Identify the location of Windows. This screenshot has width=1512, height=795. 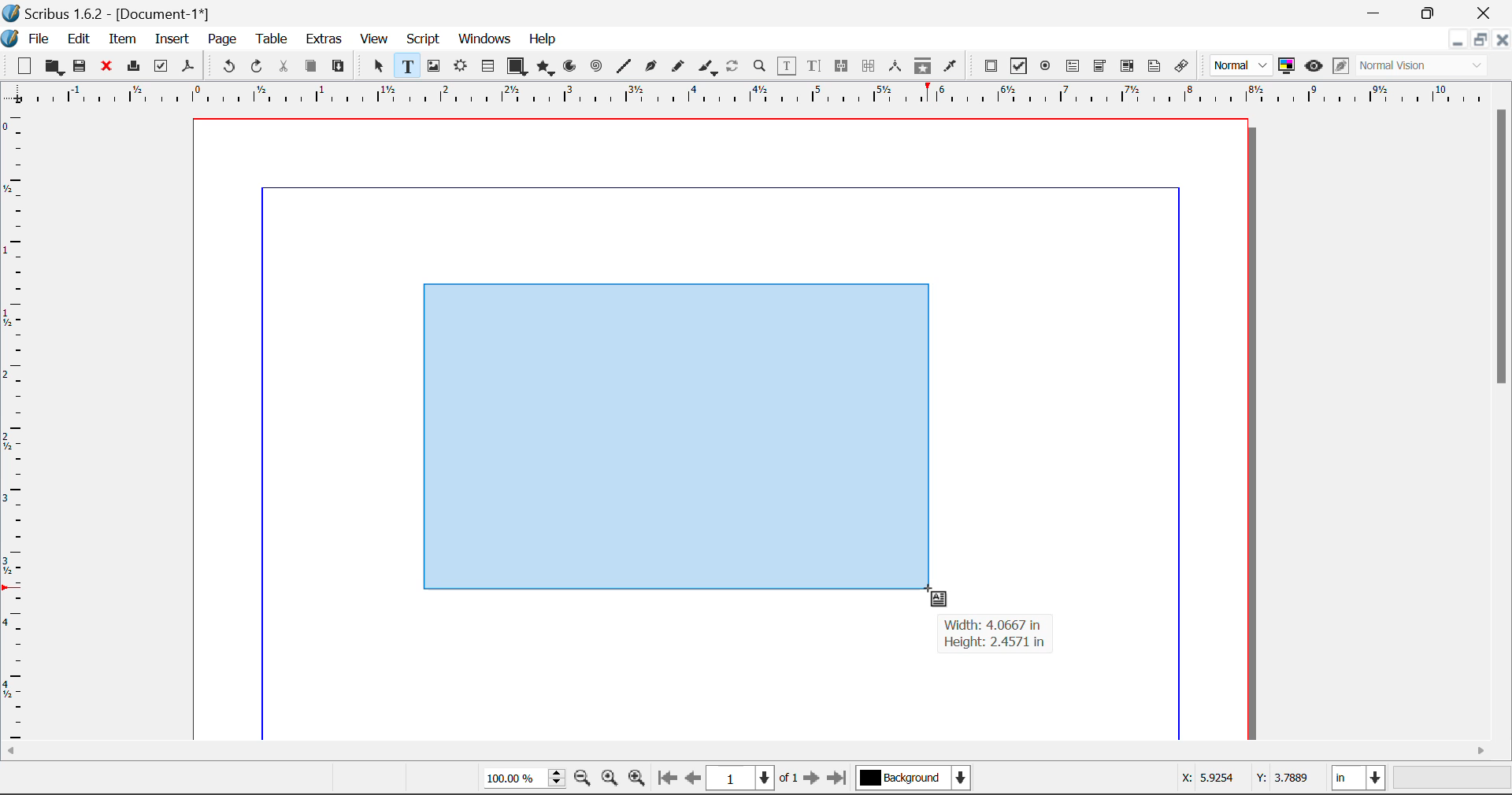
(484, 40).